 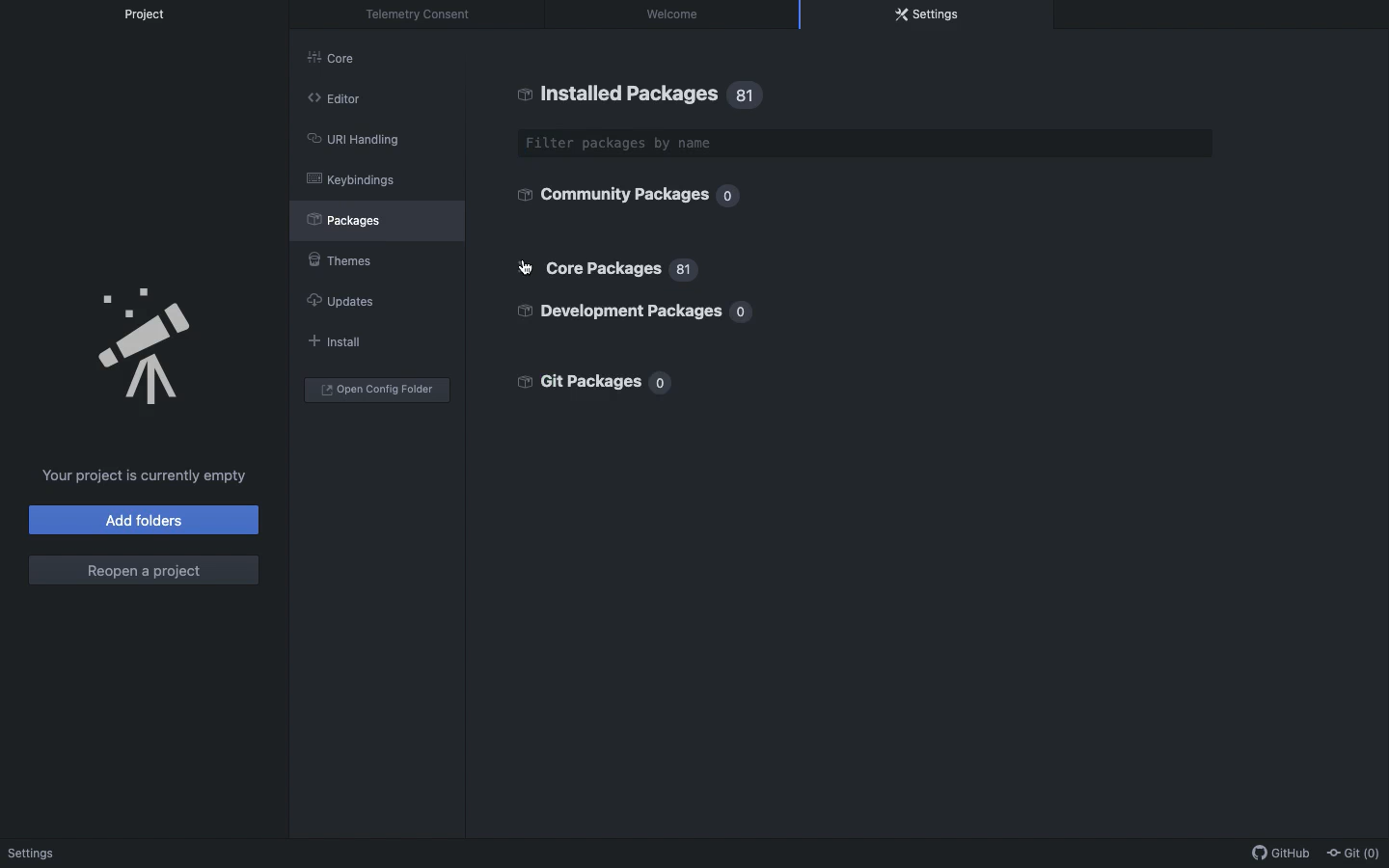 What do you see at coordinates (341, 62) in the screenshot?
I see `Core` at bounding box center [341, 62].